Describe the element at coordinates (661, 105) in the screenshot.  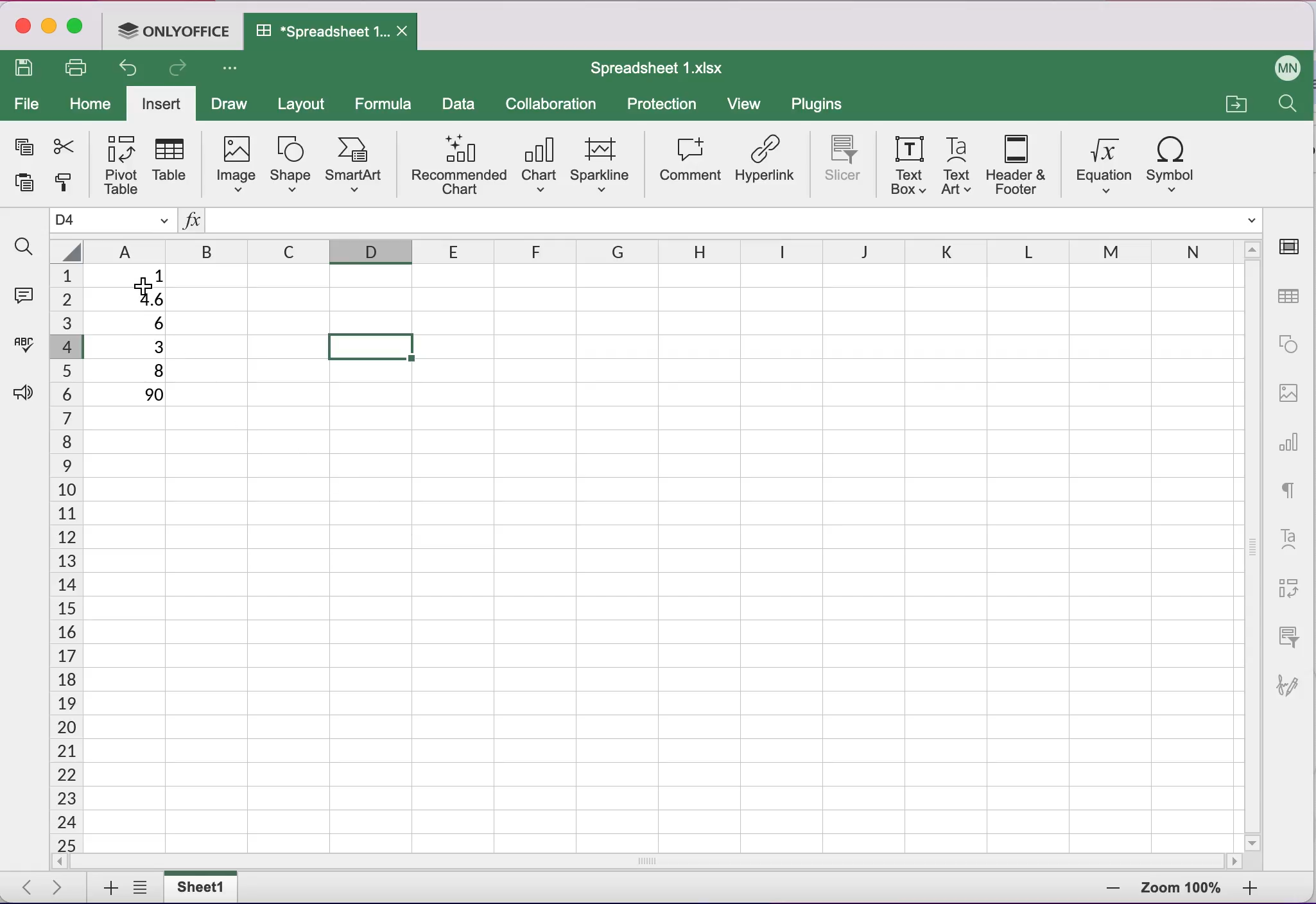
I see `protection` at that location.